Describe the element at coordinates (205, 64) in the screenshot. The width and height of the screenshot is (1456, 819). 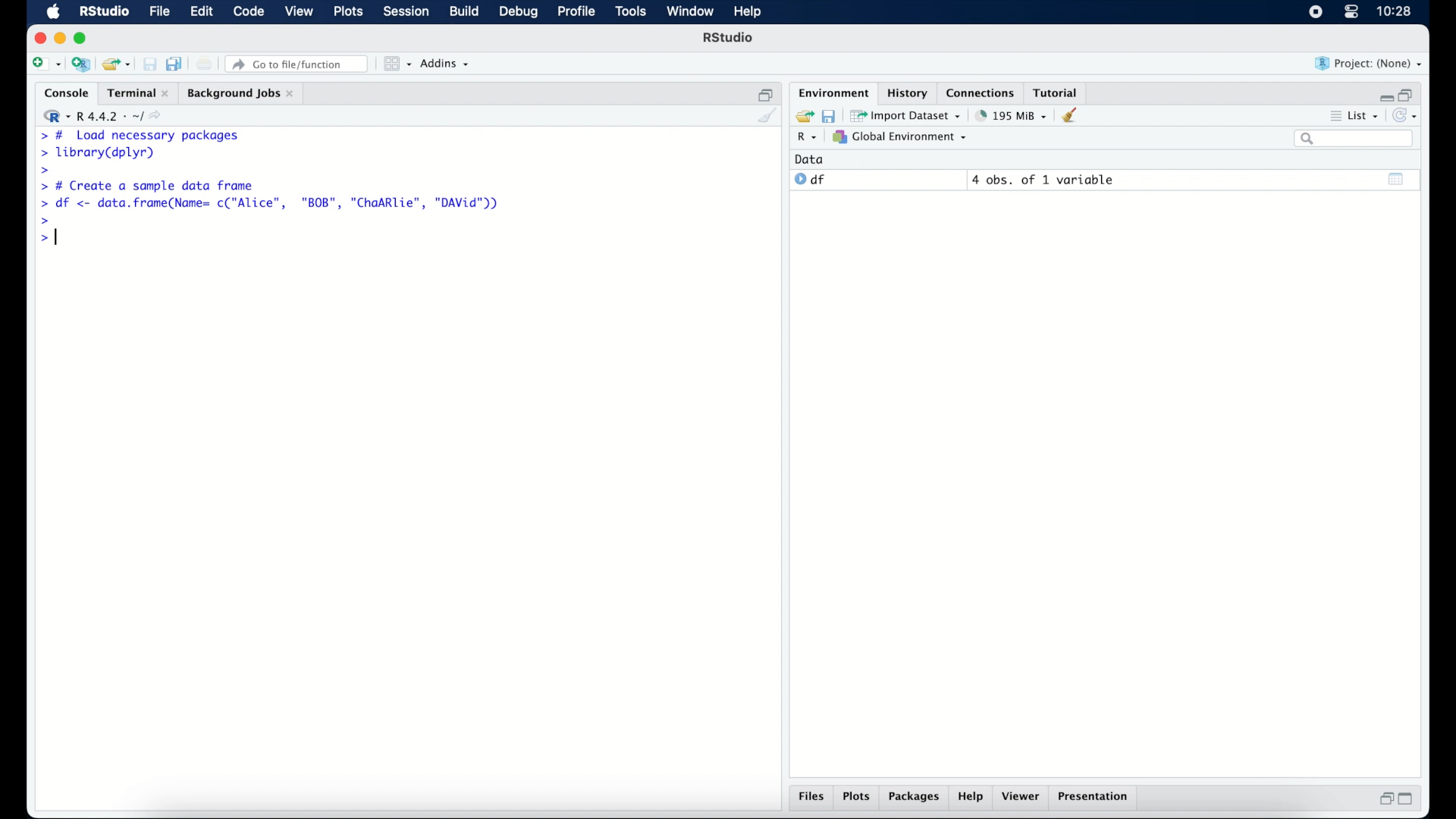
I see `print` at that location.